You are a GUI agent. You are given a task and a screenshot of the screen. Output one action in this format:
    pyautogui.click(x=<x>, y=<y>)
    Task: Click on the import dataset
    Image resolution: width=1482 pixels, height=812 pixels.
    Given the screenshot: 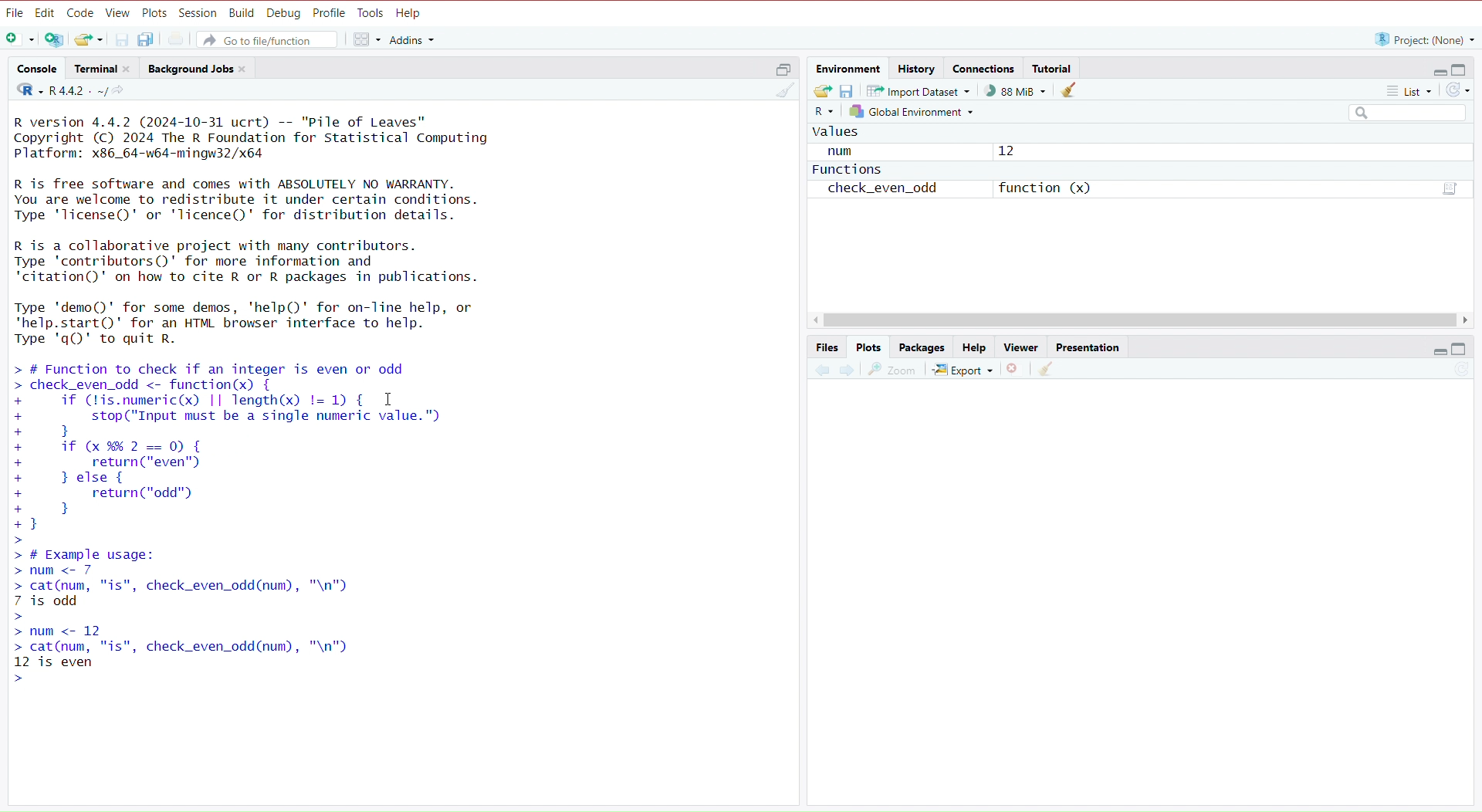 What is the action you would take?
    pyautogui.click(x=923, y=90)
    